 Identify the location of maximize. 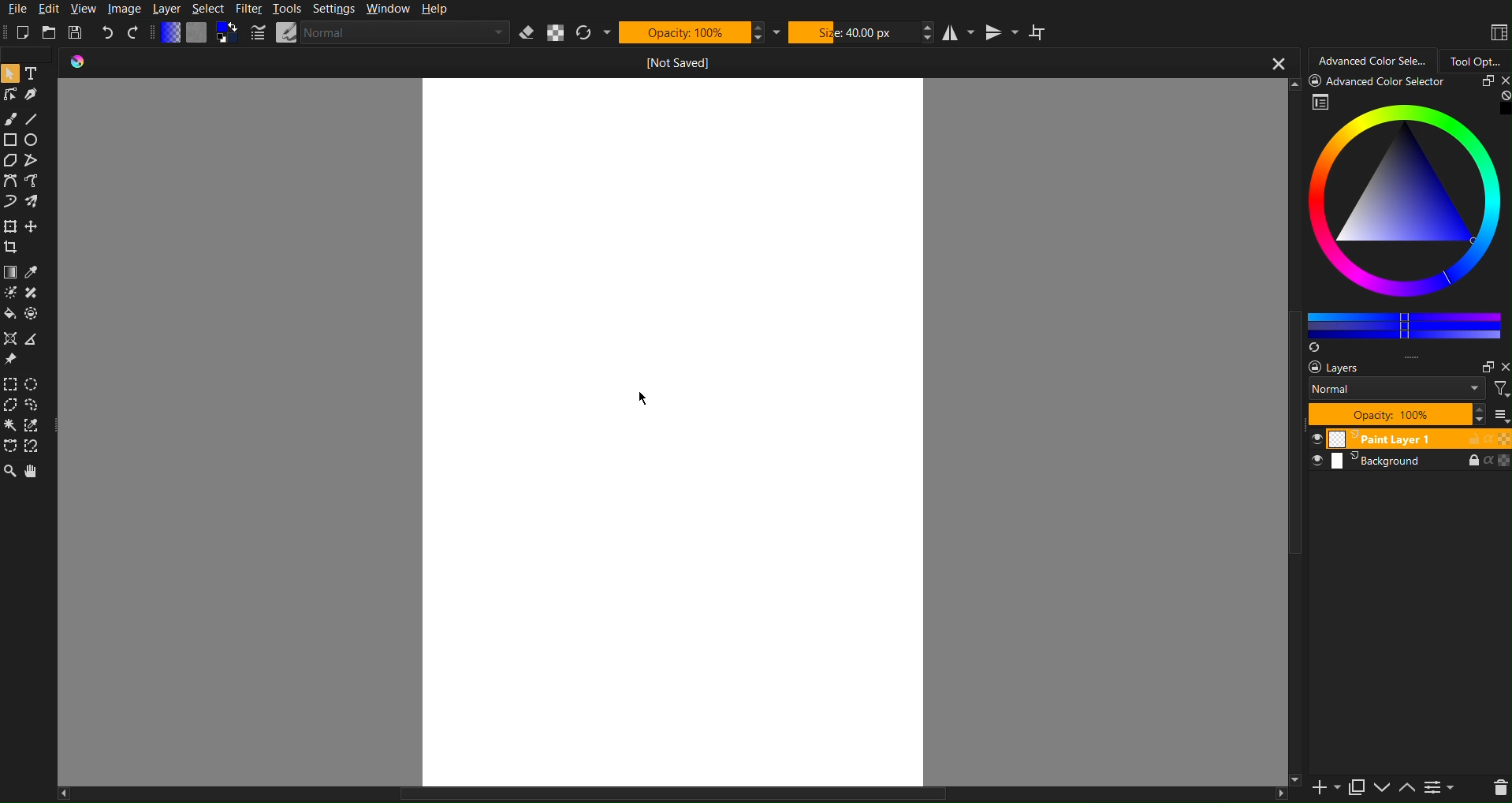
(1480, 81).